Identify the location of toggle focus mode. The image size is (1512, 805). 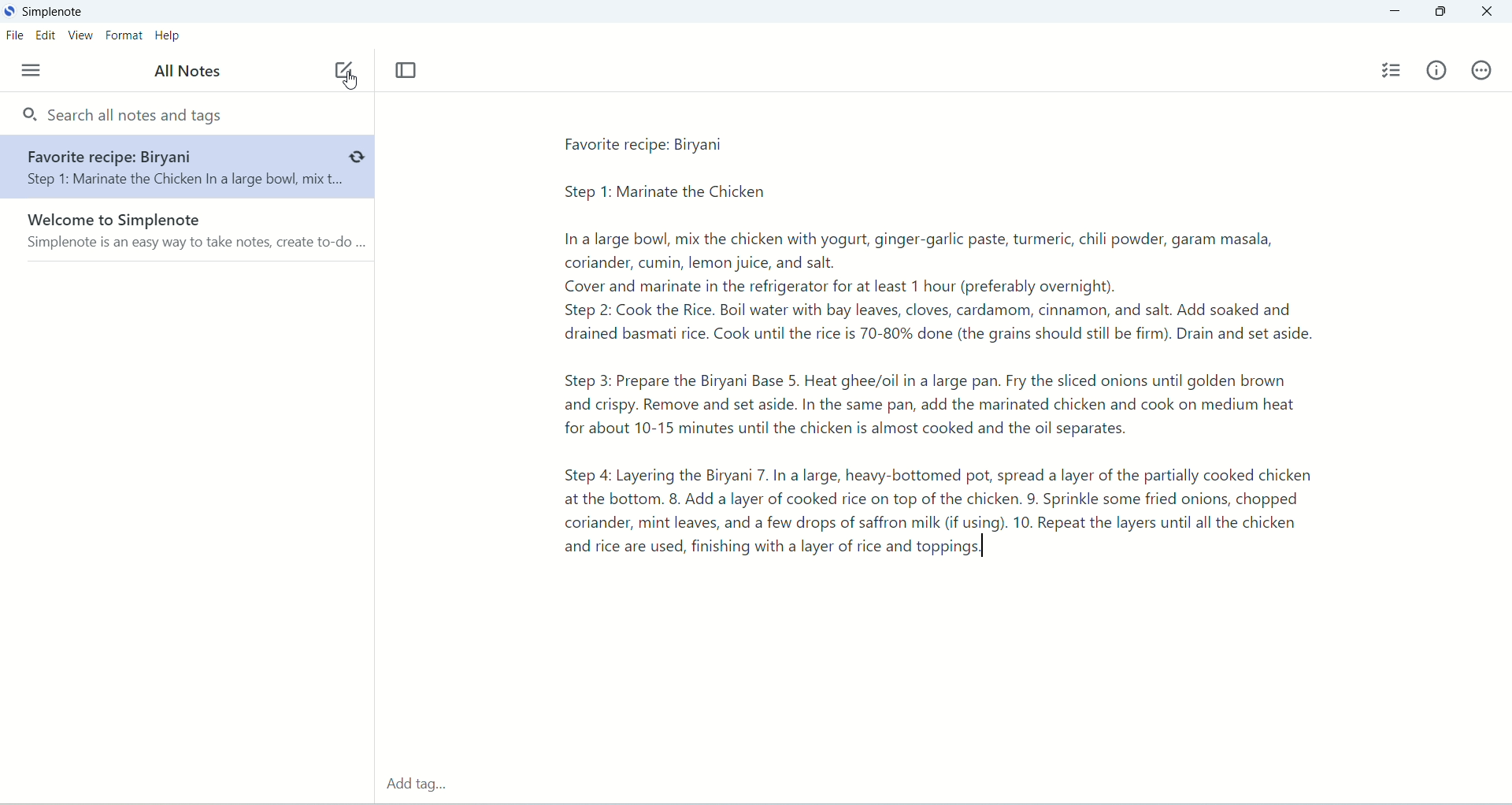
(407, 72).